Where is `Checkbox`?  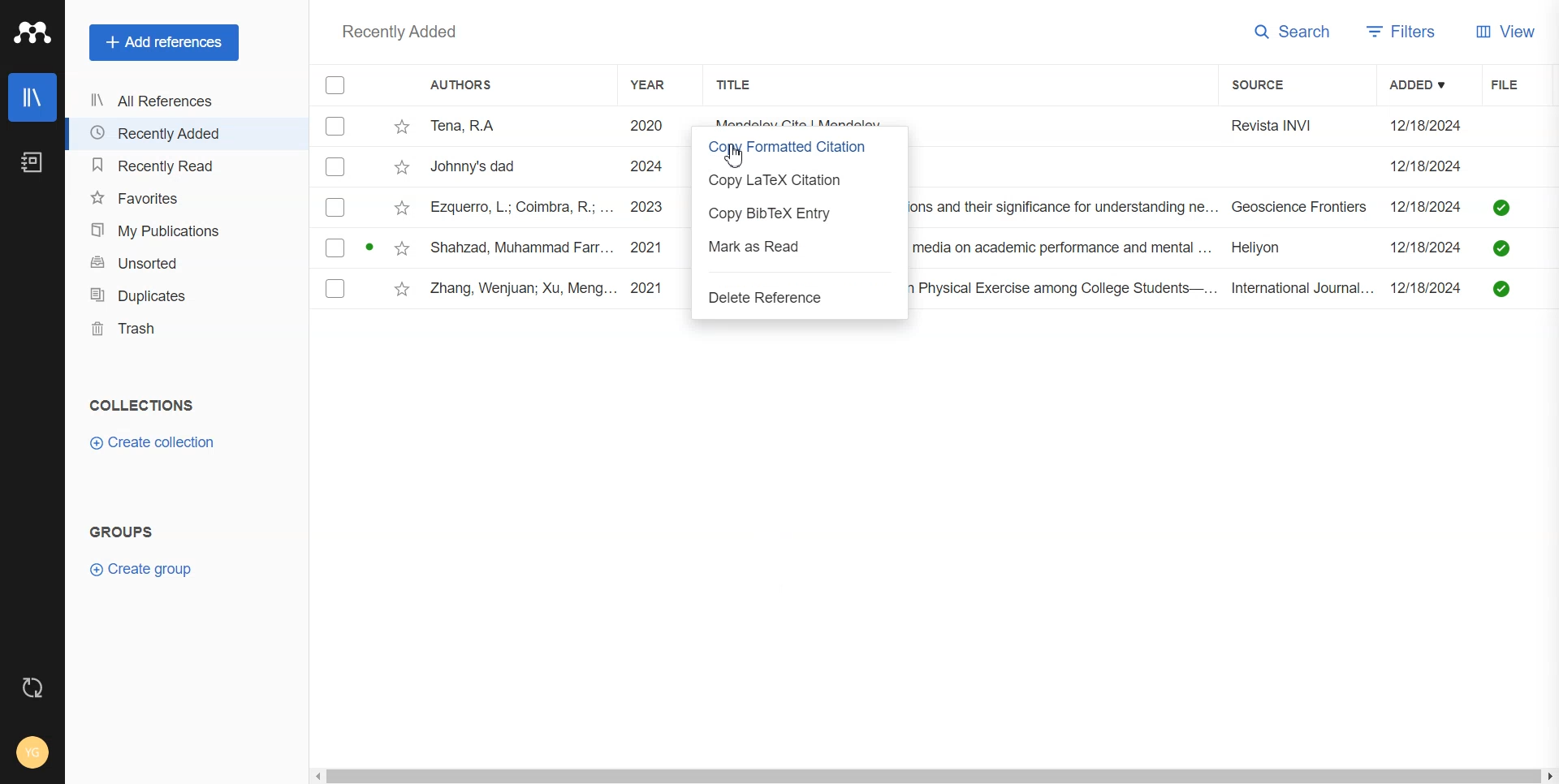
Checkbox is located at coordinates (335, 84).